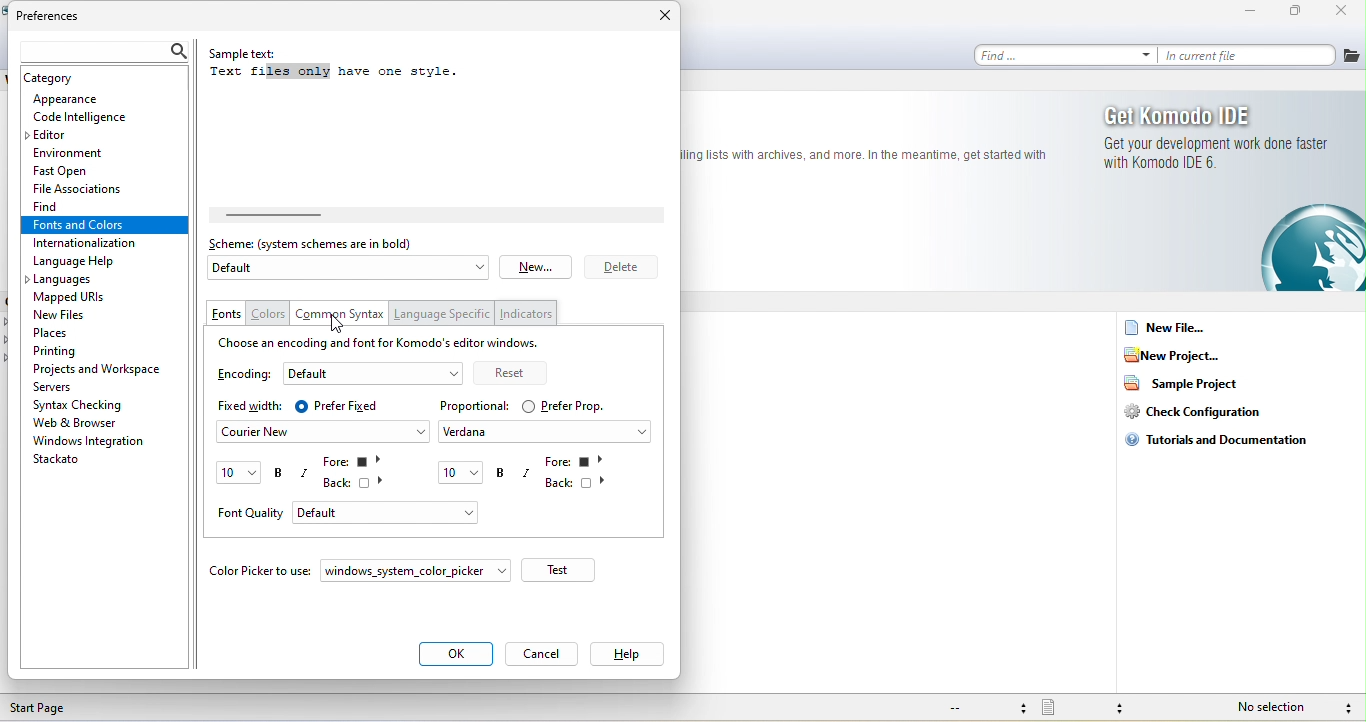 The height and width of the screenshot is (722, 1366). Describe the element at coordinates (95, 442) in the screenshot. I see `window integration` at that location.